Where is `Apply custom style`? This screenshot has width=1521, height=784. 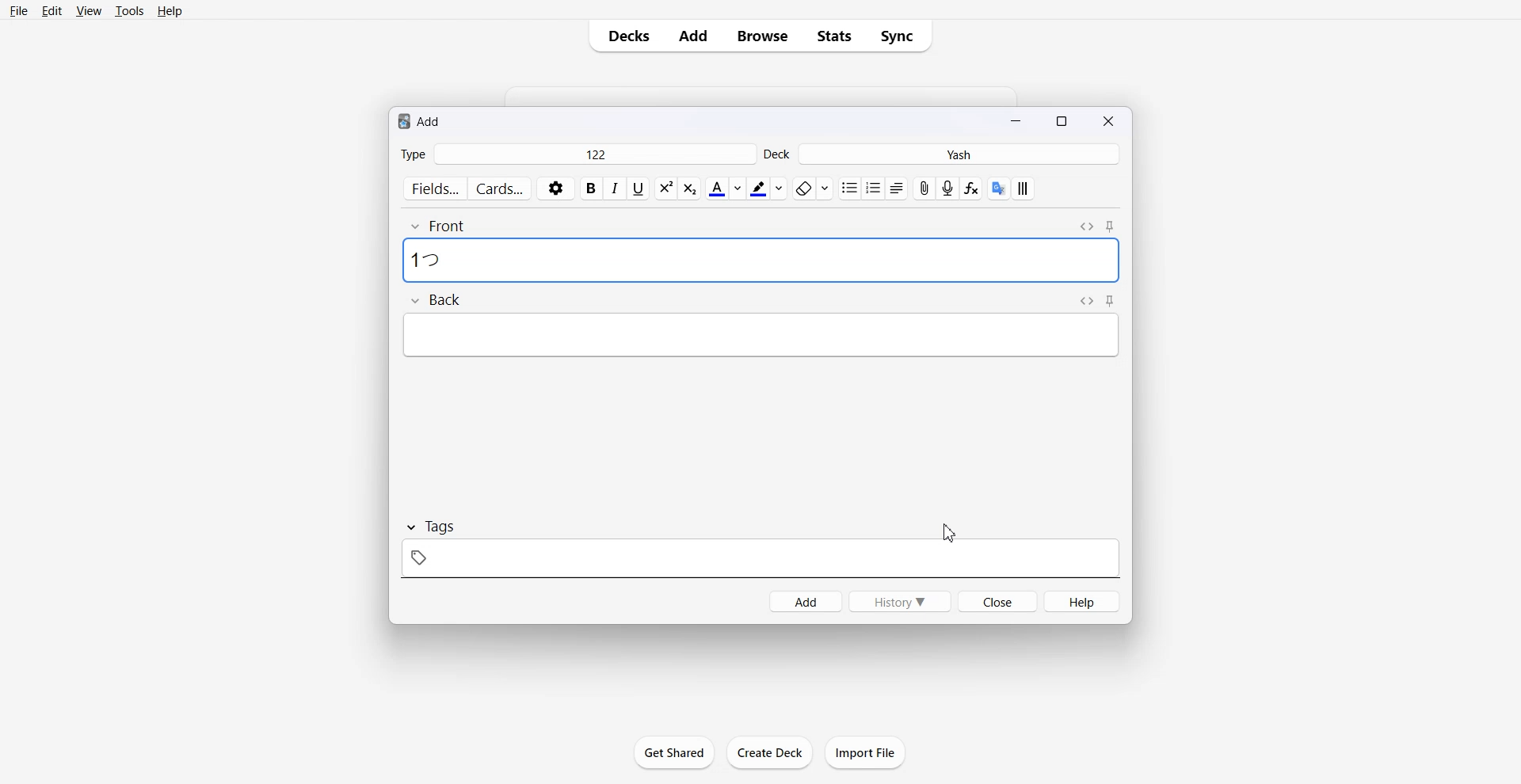 Apply custom style is located at coordinates (1023, 188).